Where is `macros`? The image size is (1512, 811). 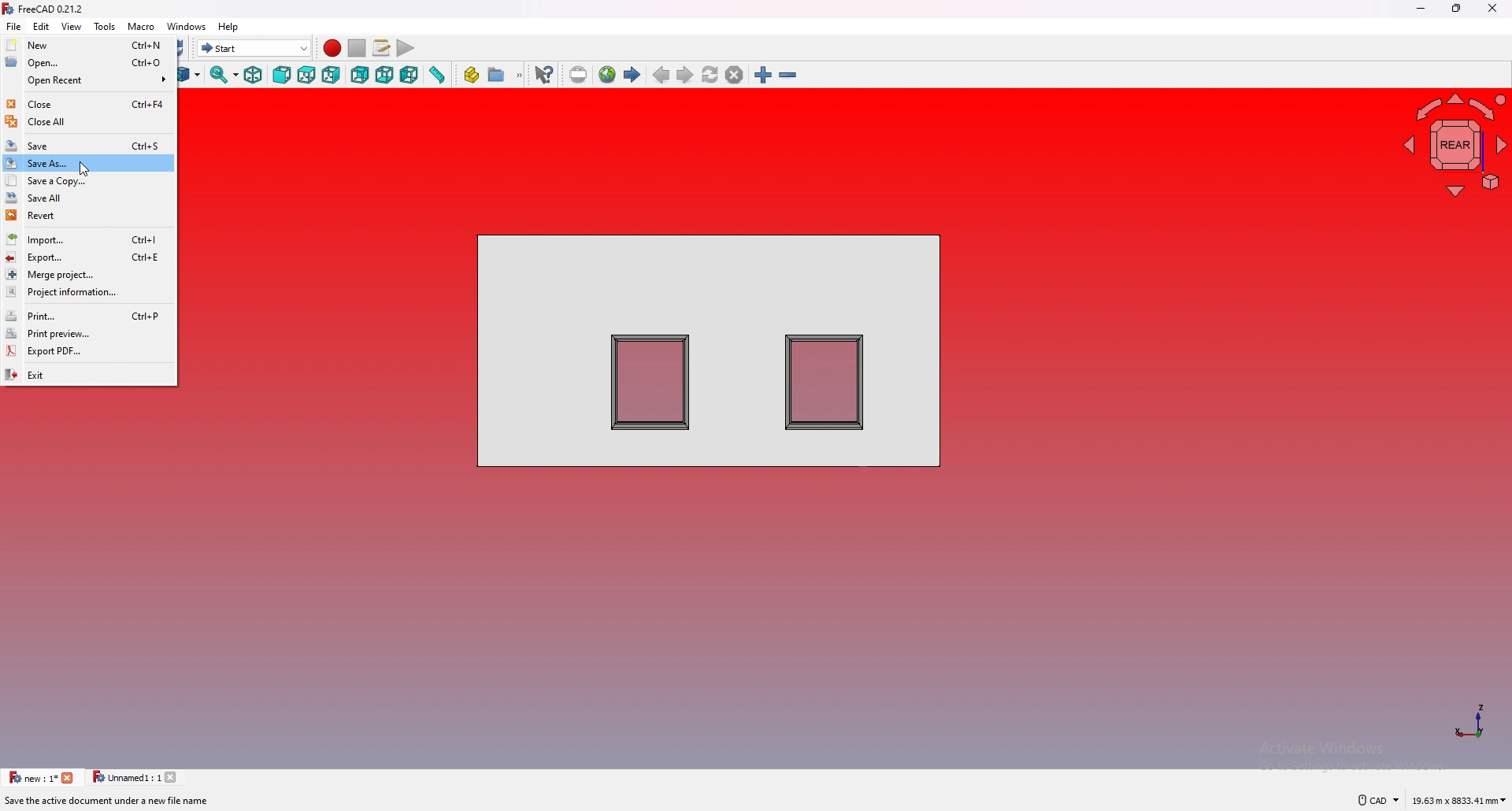 macros is located at coordinates (381, 47).